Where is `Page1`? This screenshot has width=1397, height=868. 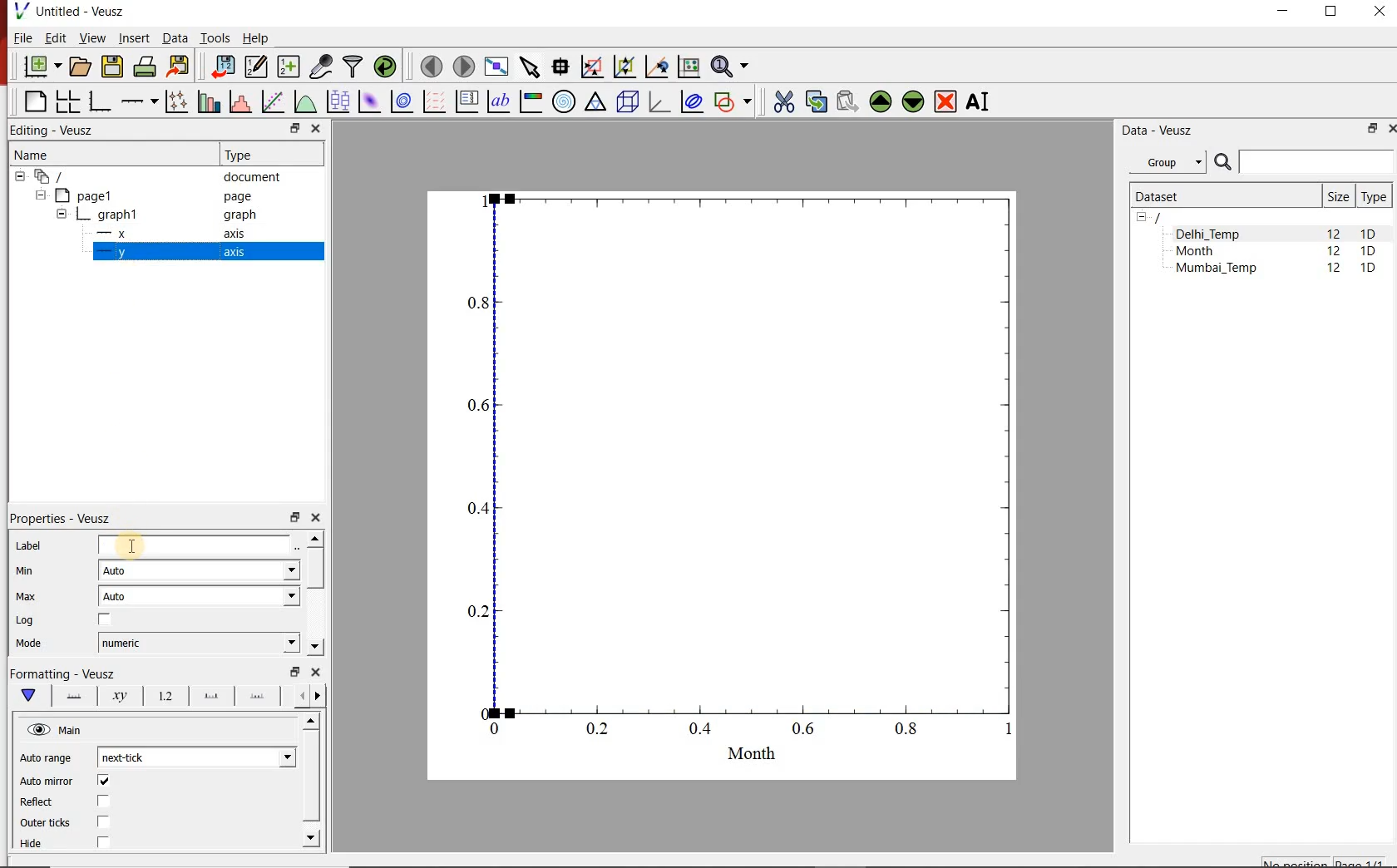
Page1 is located at coordinates (145, 195).